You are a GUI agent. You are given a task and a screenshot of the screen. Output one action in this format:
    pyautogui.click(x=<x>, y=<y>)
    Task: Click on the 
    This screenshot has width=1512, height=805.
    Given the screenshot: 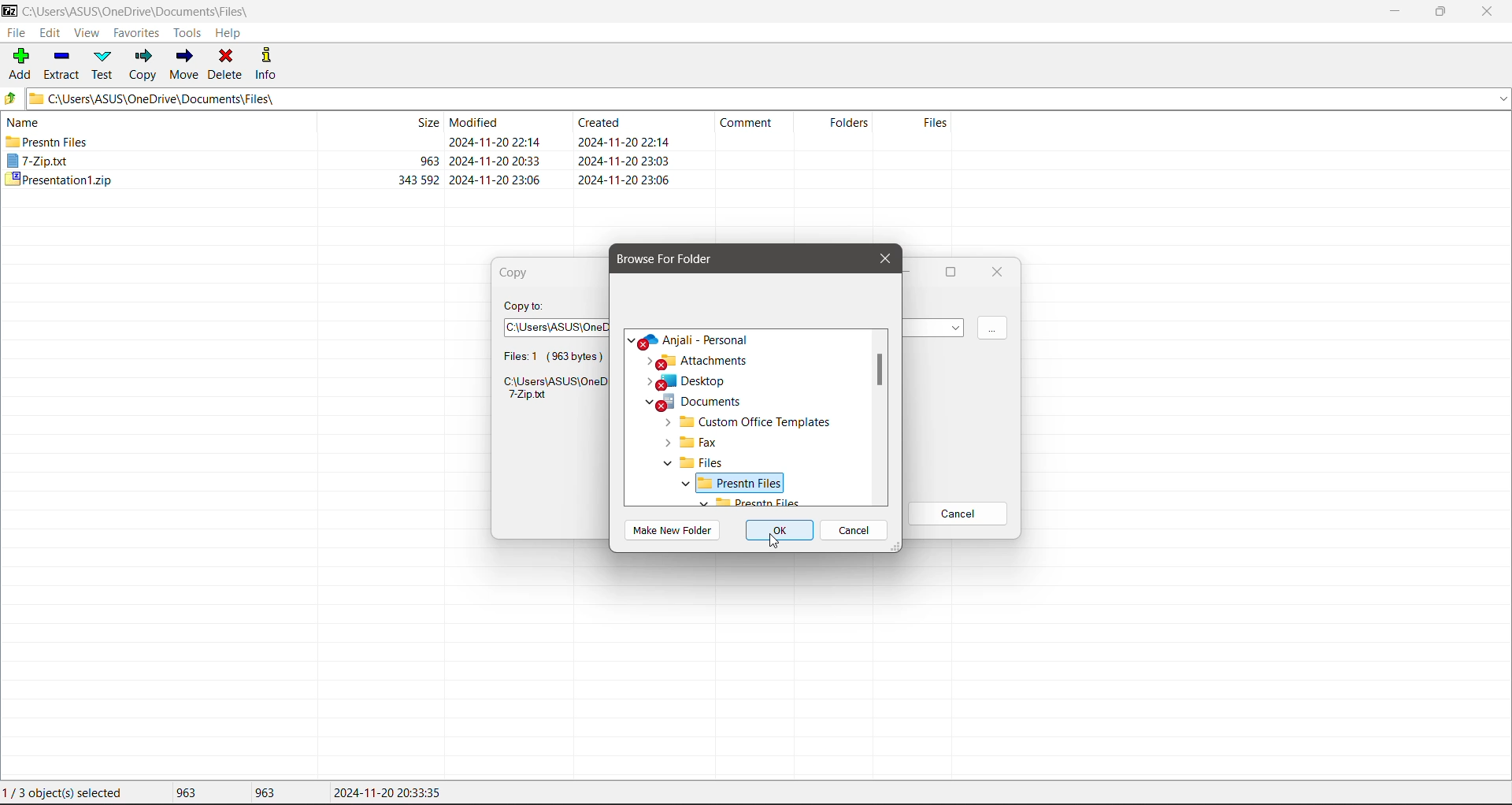 What is the action you would take?
    pyautogui.click(x=660, y=531)
    